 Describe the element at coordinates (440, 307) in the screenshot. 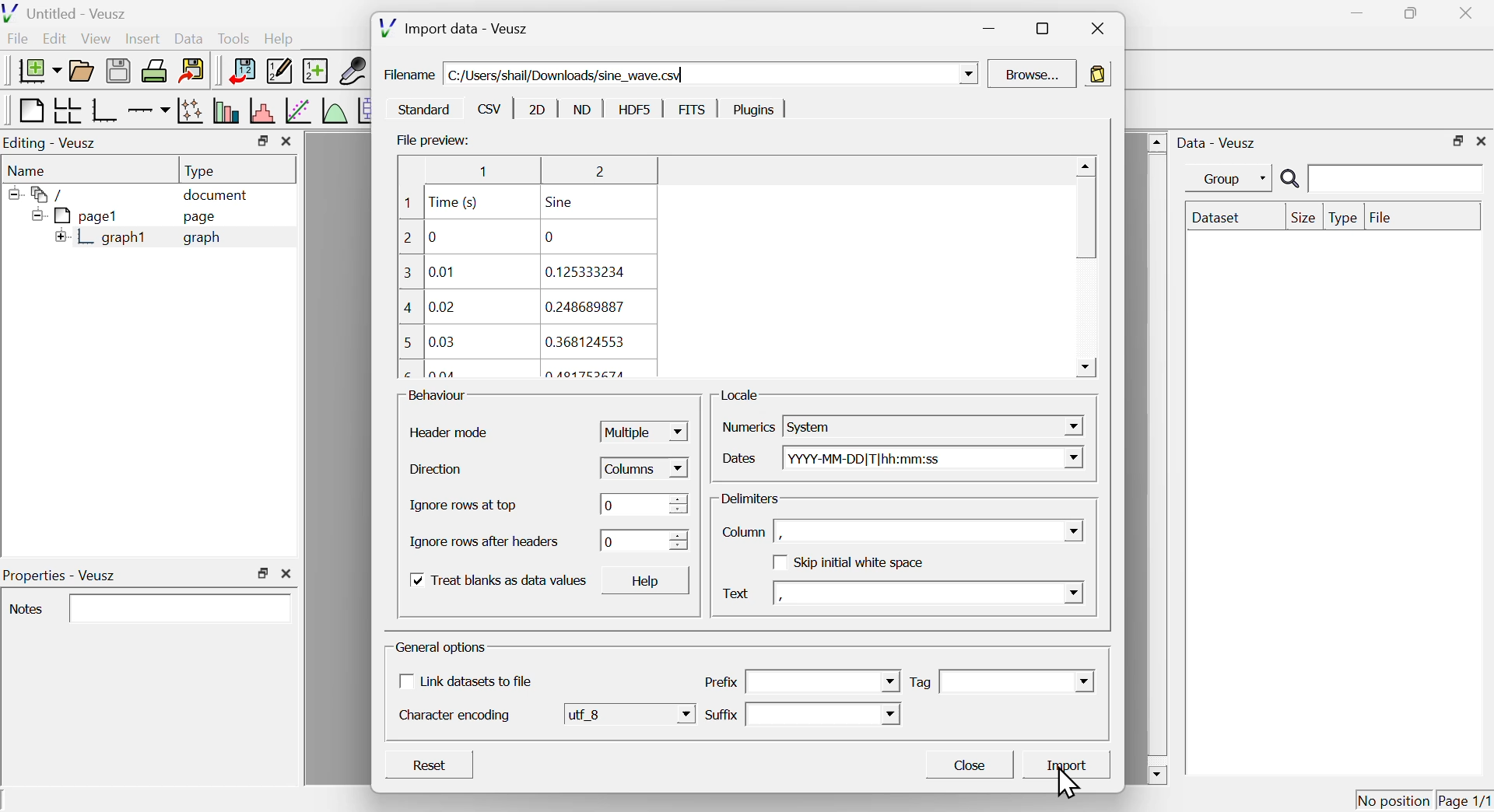

I see `0.02` at that location.